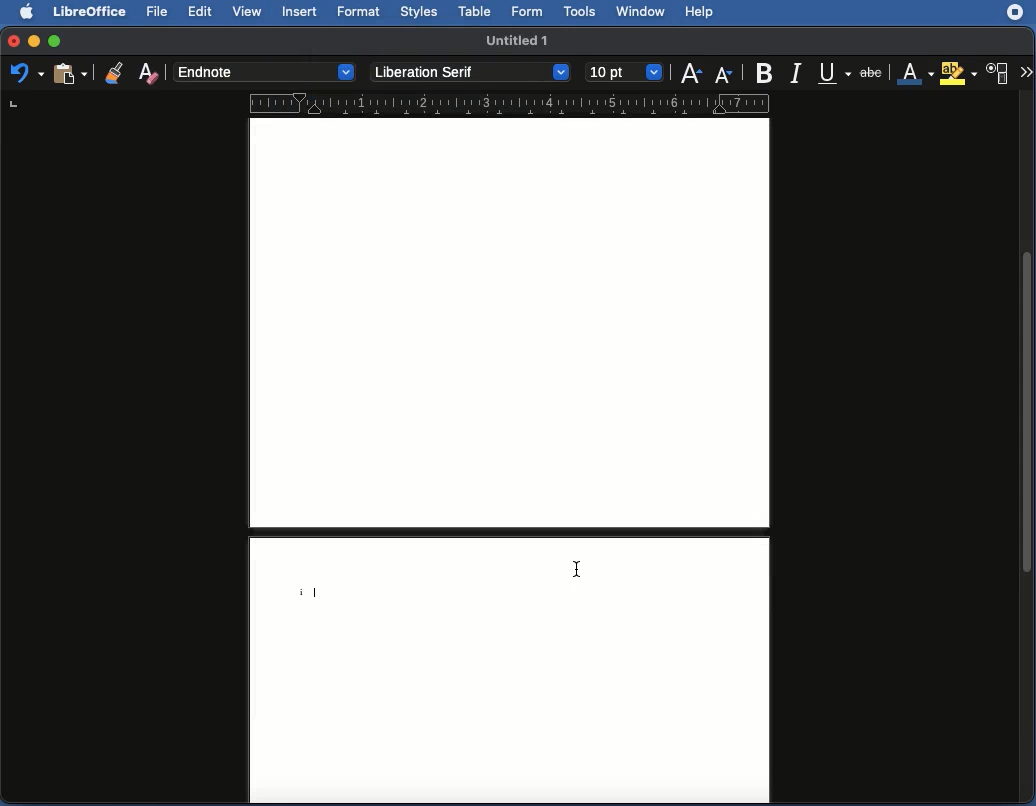 This screenshot has width=1036, height=806. I want to click on Font style, so click(471, 72).